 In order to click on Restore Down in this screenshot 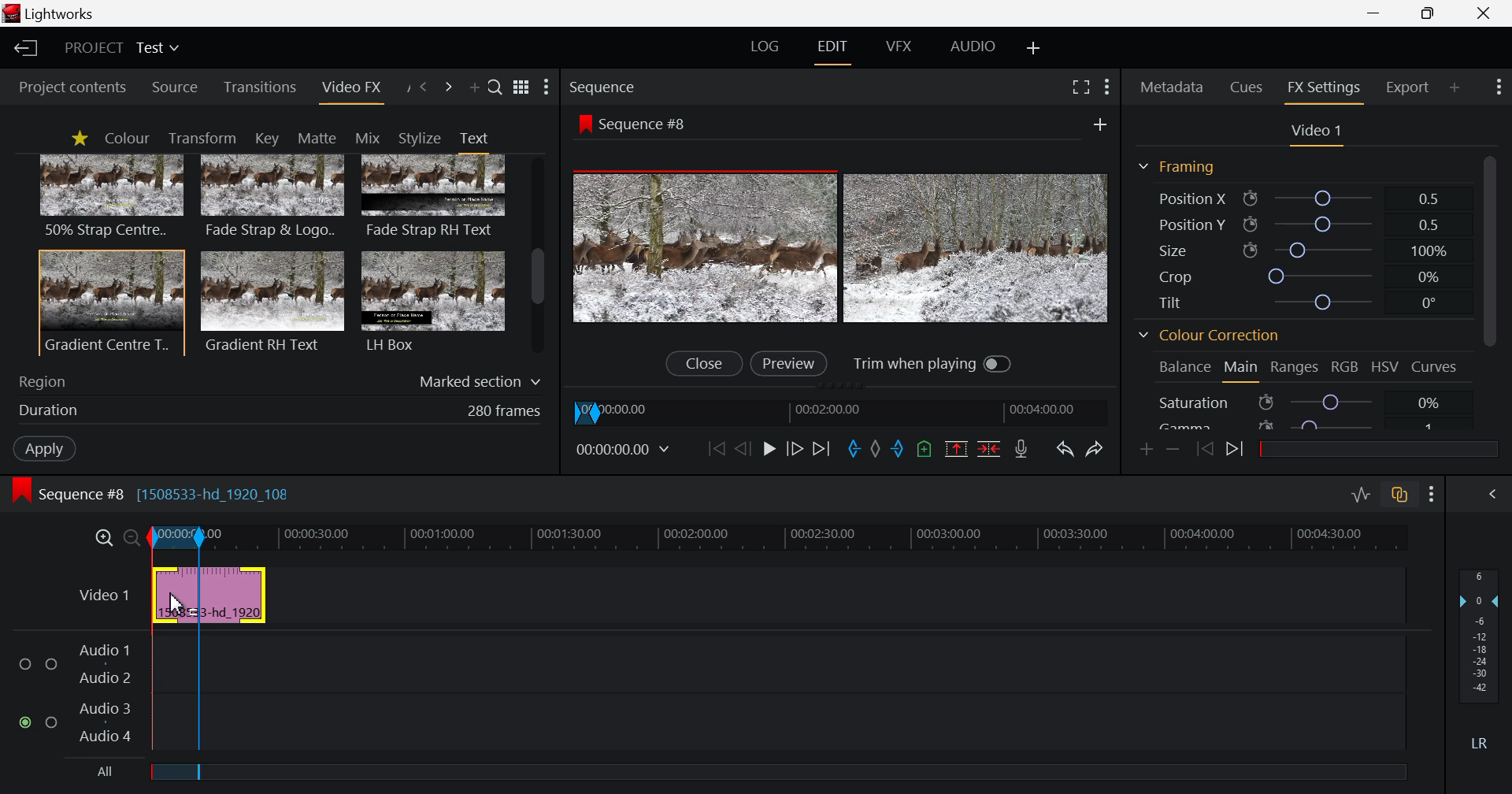, I will do `click(1377, 13)`.